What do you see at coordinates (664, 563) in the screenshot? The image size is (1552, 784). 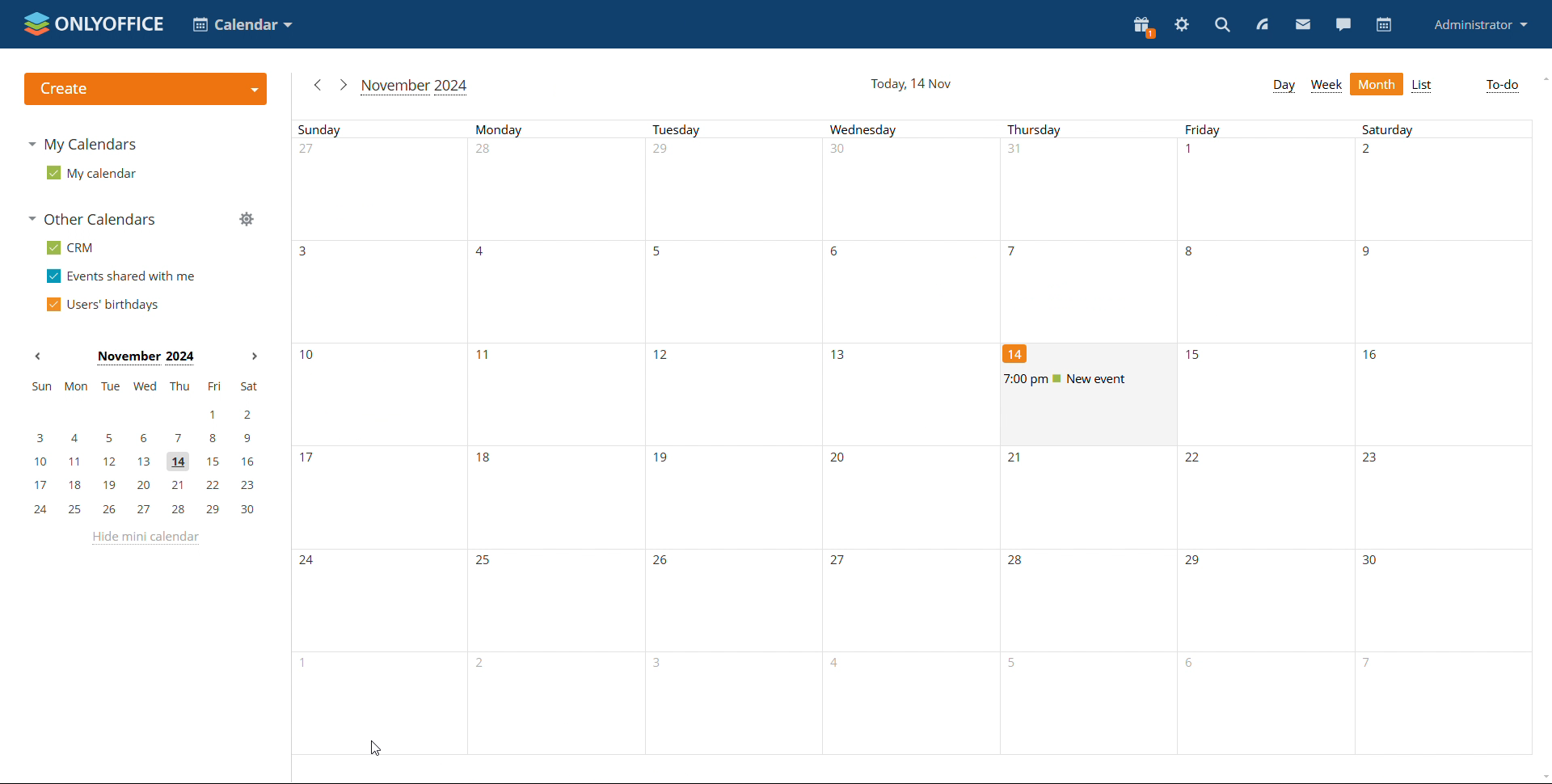 I see `number` at bounding box center [664, 563].